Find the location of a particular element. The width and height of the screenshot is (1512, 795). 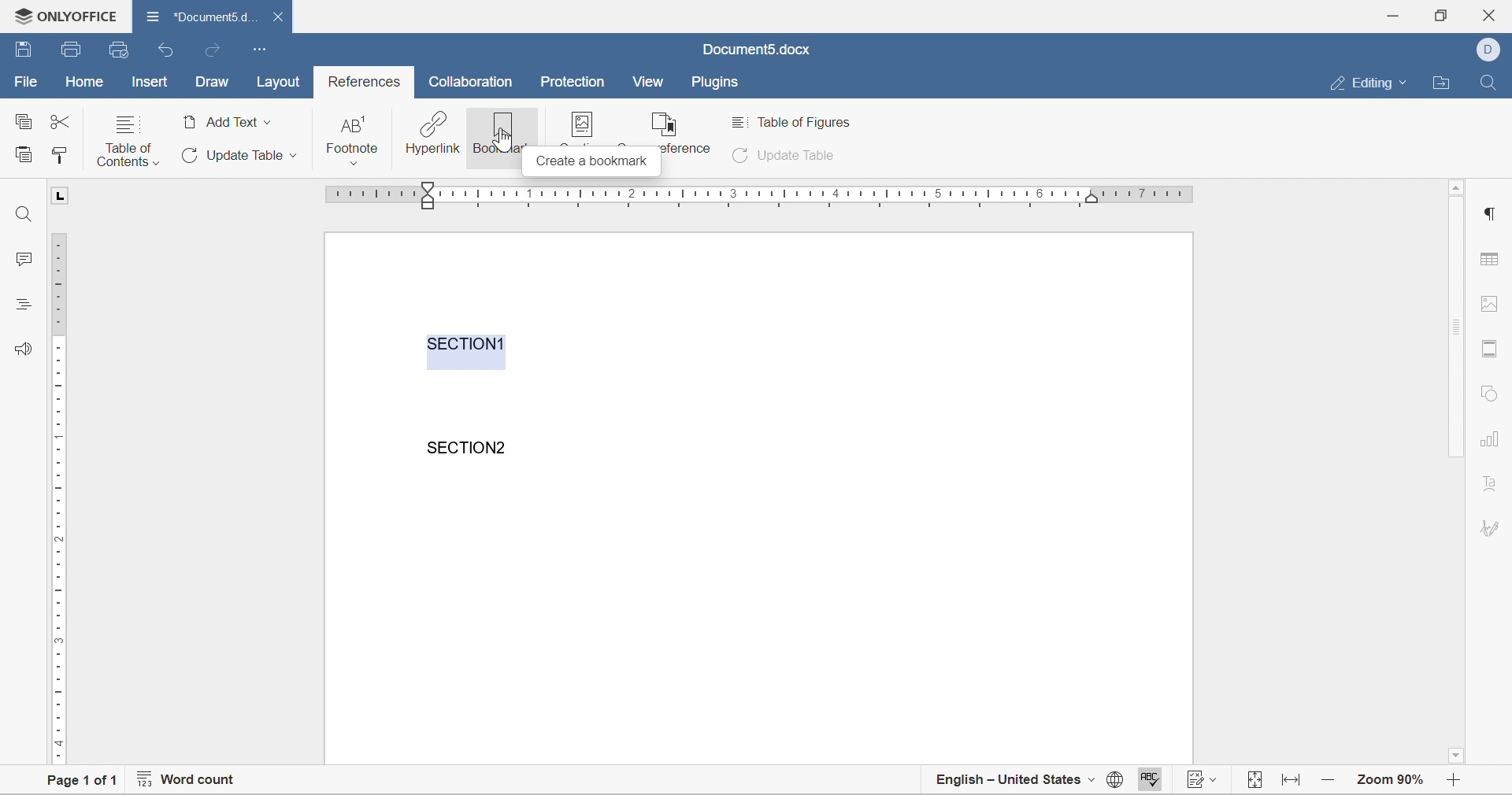

chart settings is located at coordinates (1492, 441).